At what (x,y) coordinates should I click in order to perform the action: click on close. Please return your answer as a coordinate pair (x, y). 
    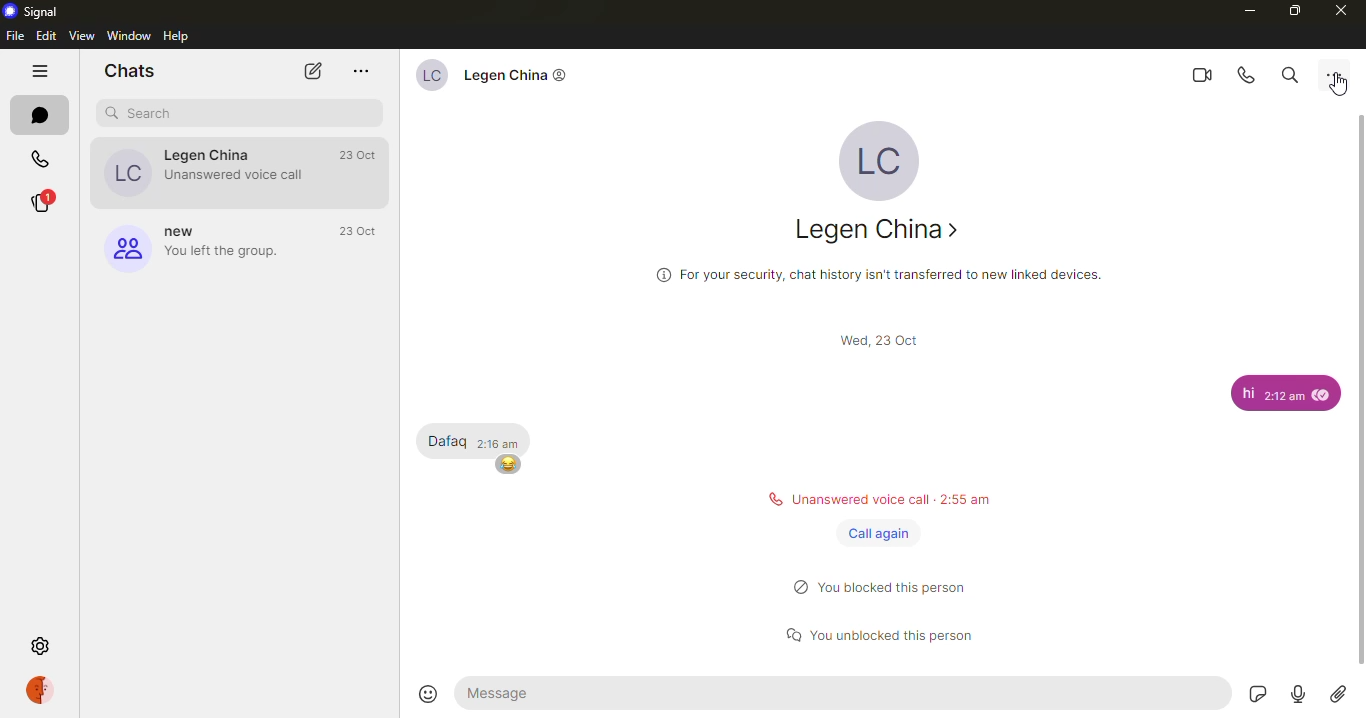
    Looking at the image, I should click on (1337, 9).